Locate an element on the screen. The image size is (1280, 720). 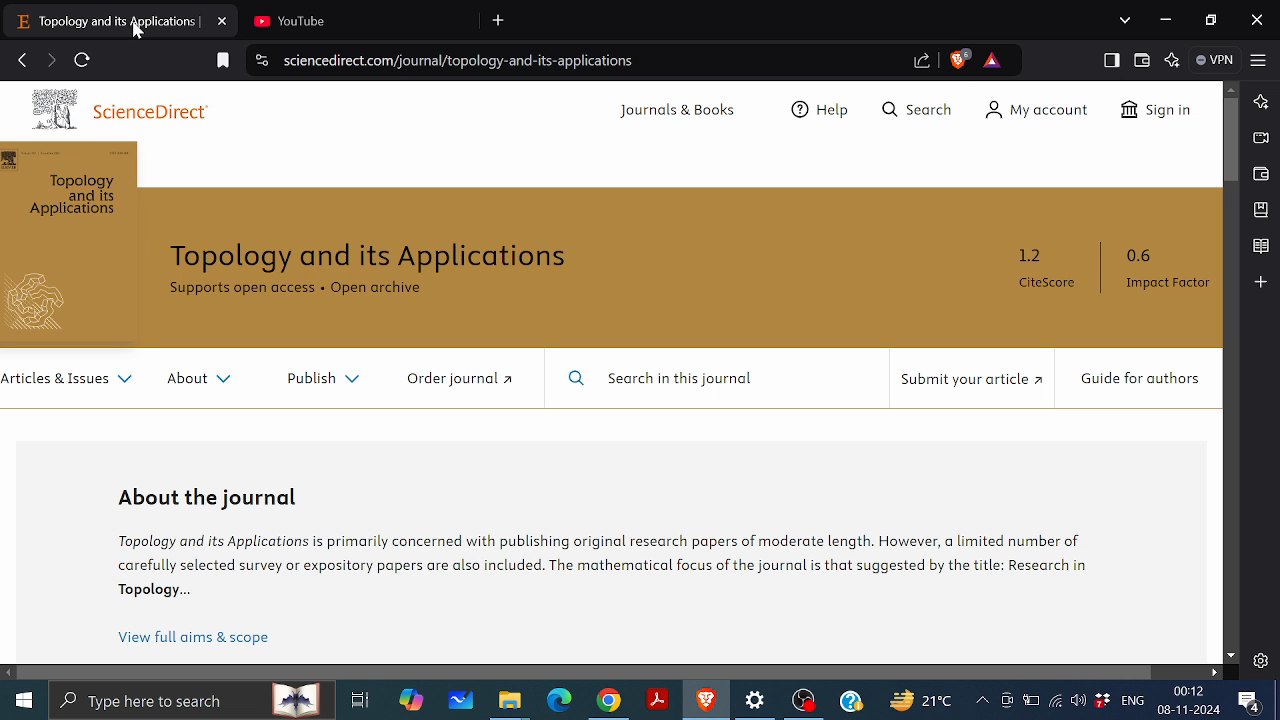
Time and date is located at coordinates (1191, 700).